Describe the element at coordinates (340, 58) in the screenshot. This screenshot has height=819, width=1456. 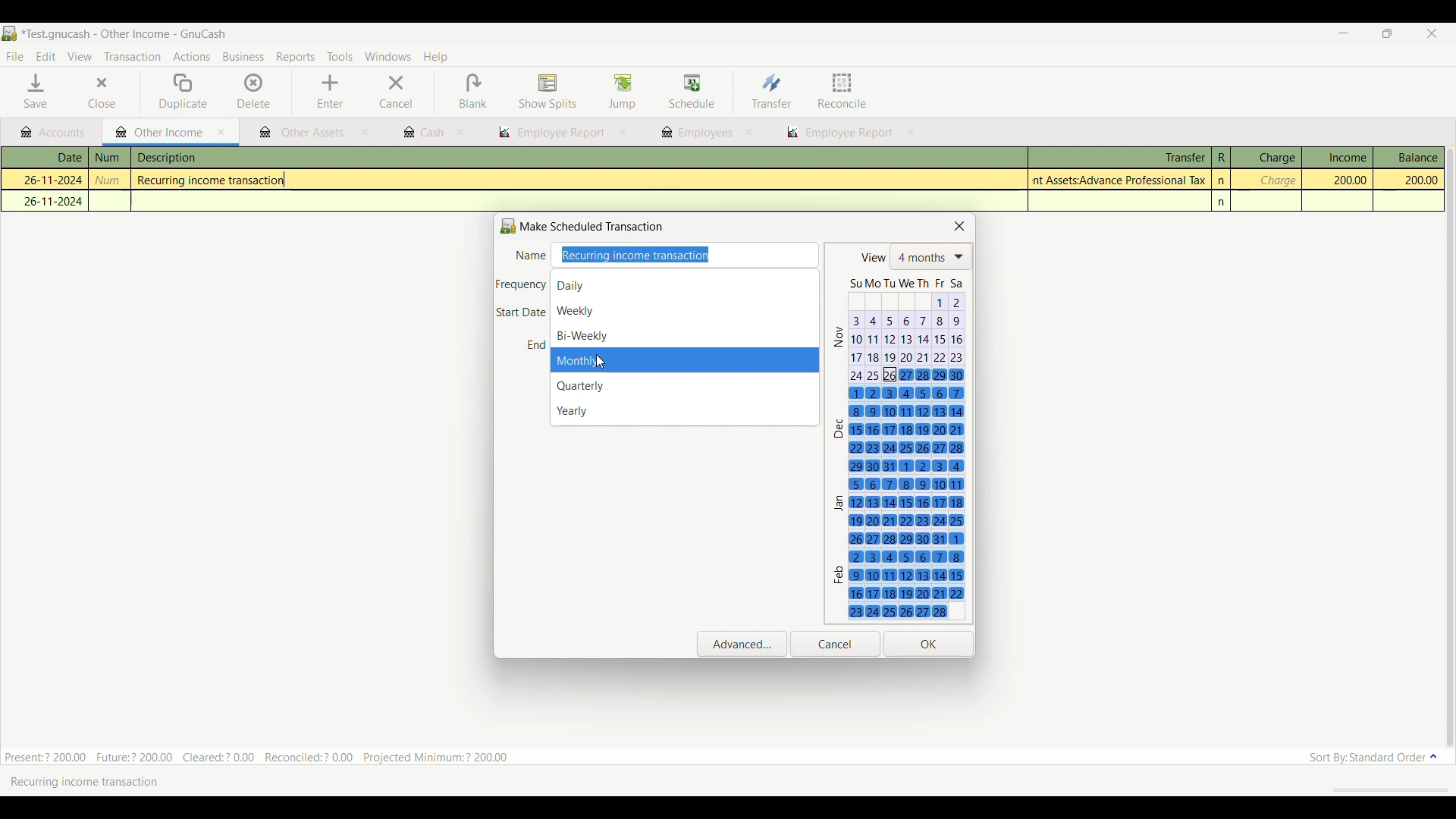
I see `Tools menu` at that location.